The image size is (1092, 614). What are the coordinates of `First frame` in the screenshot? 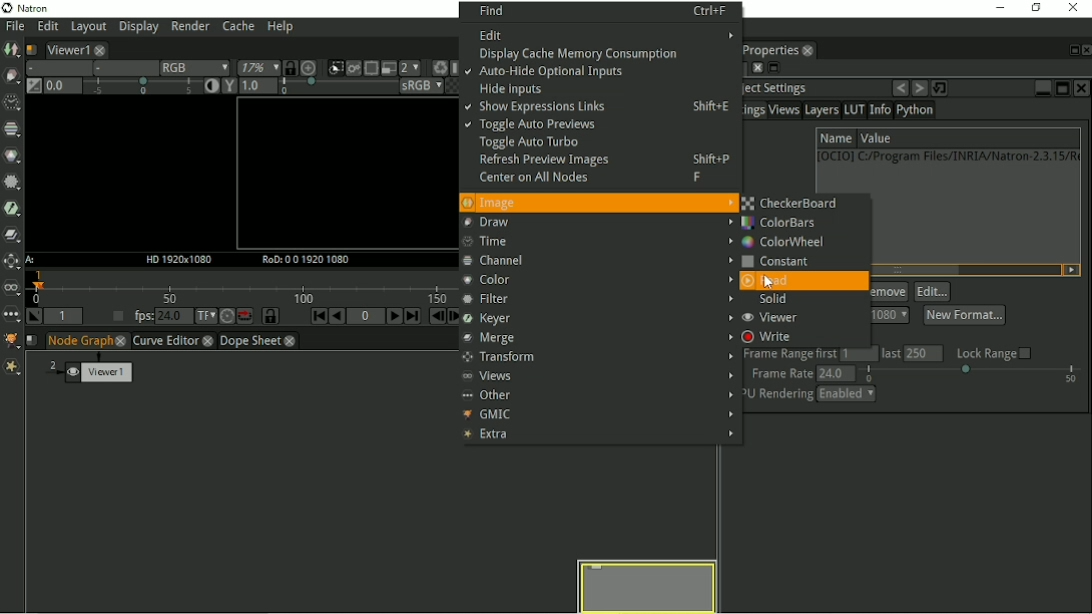 It's located at (311, 317).